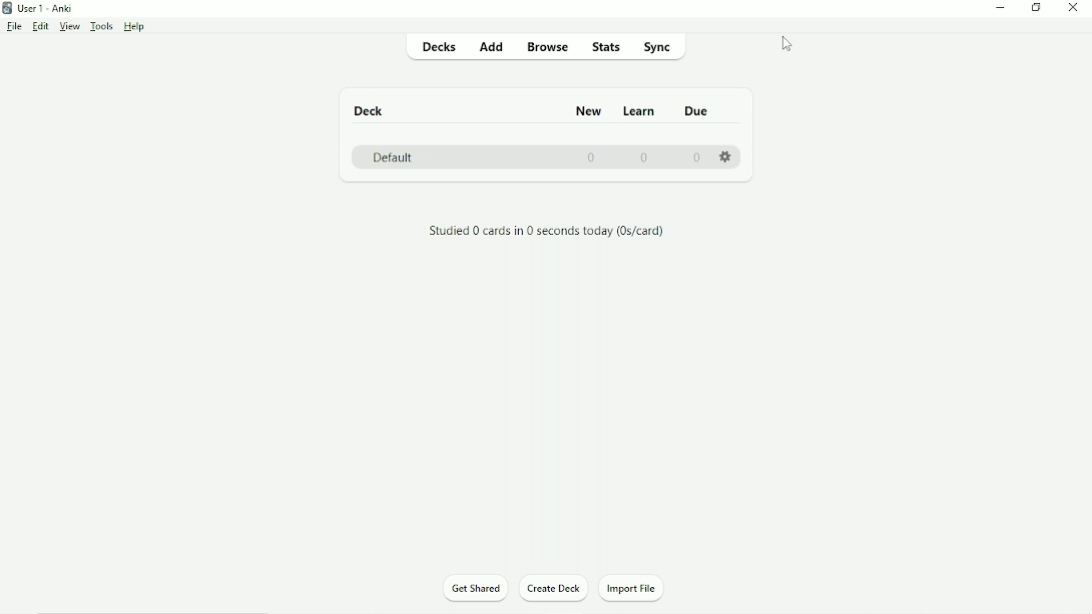  I want to click on Browse, so click(549, 46).